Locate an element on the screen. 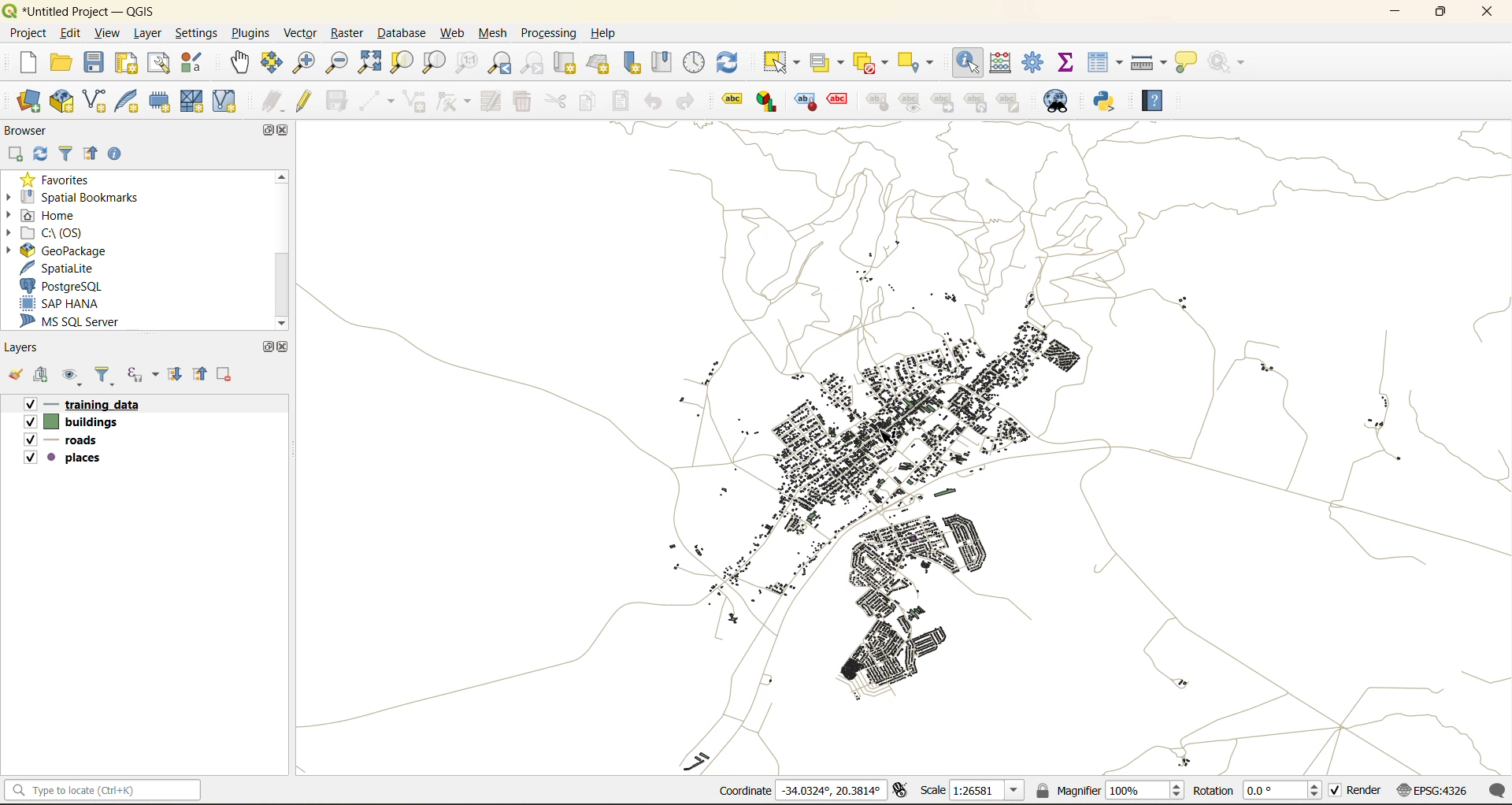 The height and width of the screenshot is (805, 1512). deselect value is located at coordinates (873, 65).